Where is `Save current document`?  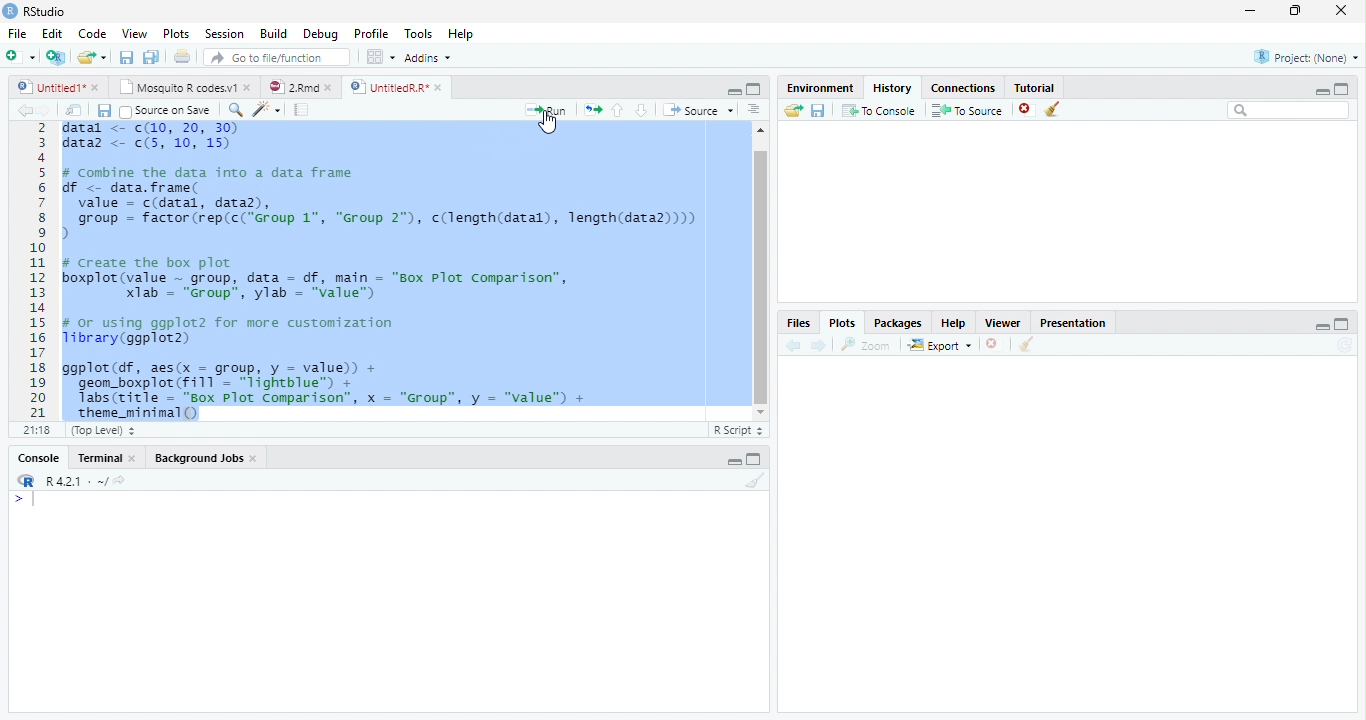
Save current document is located at coordinates (103, 110).